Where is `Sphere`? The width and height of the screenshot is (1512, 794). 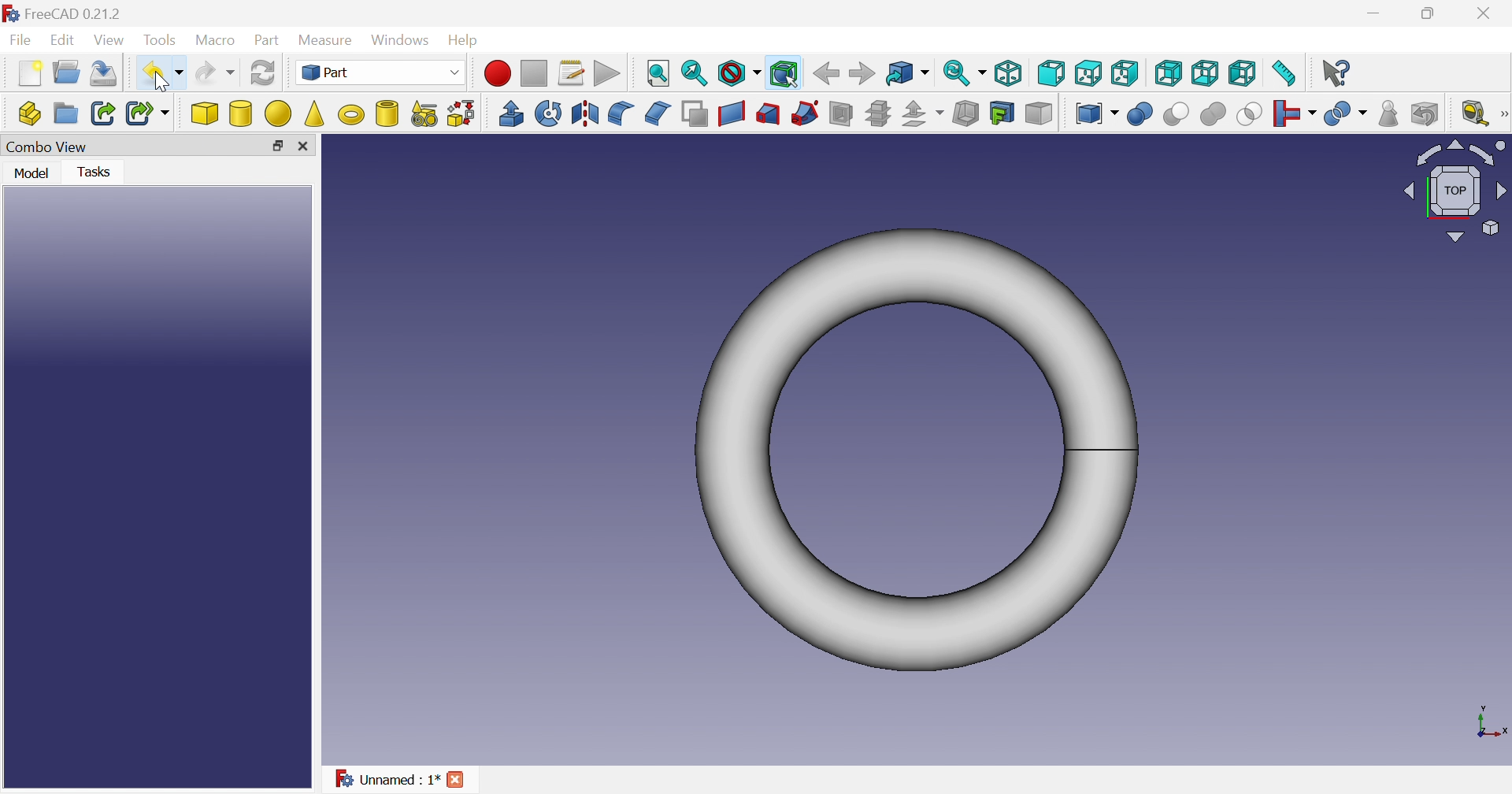
Sphere is located at coordinates (279, 114).